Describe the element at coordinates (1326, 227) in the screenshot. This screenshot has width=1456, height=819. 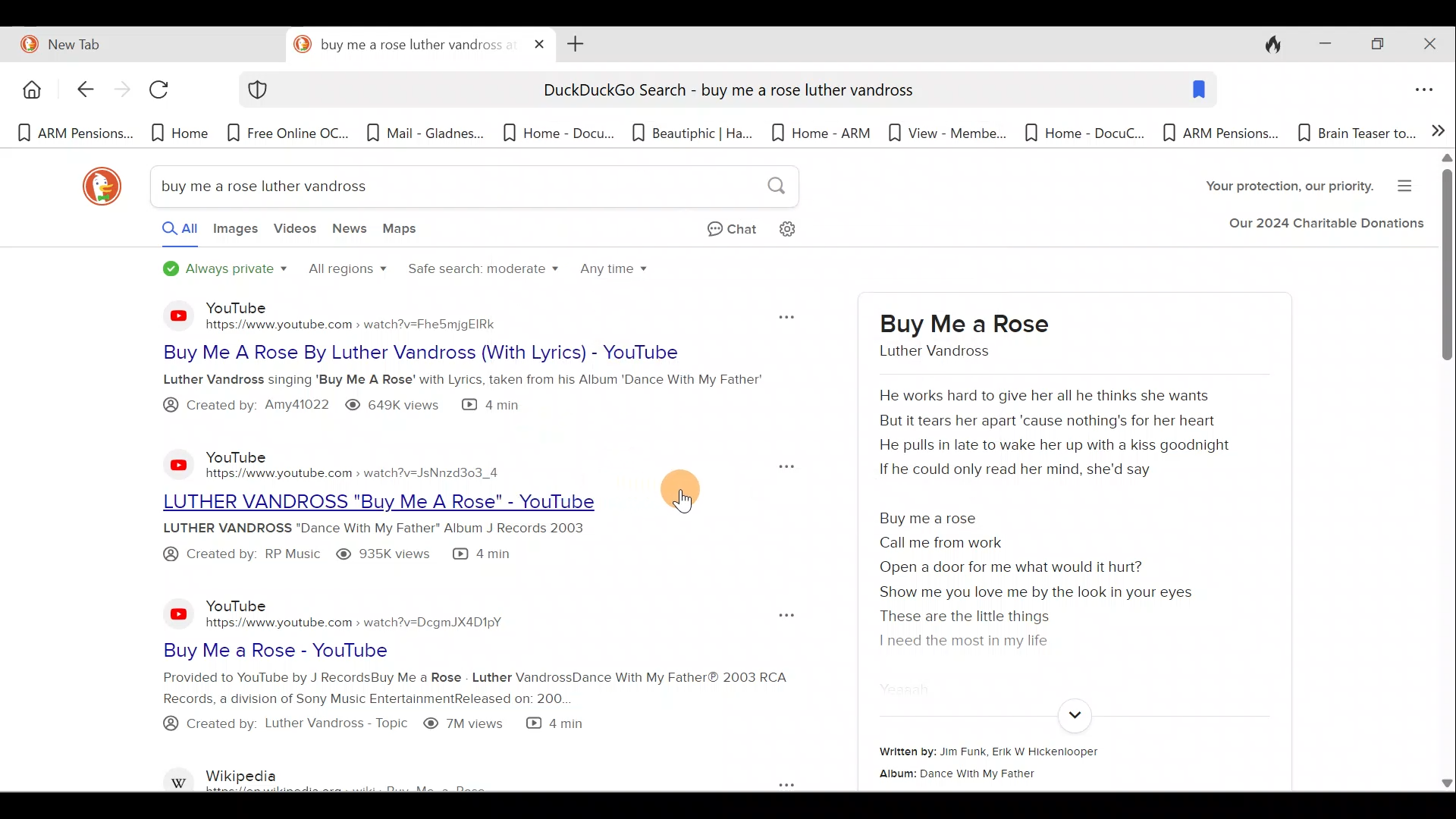
I see `Our 2024 Charitable Donations` at that location.